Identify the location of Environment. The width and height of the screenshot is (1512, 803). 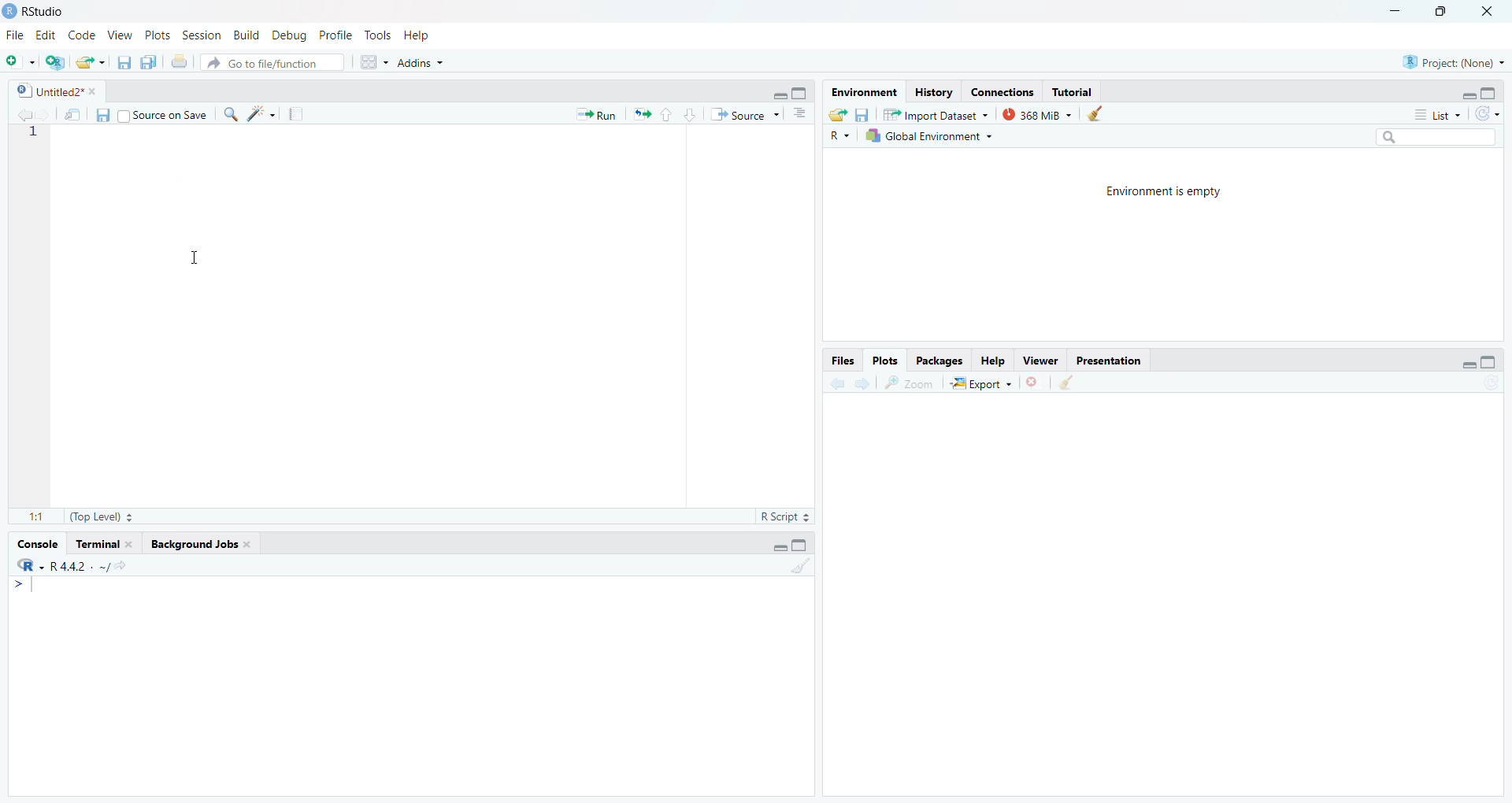
(858, 92).